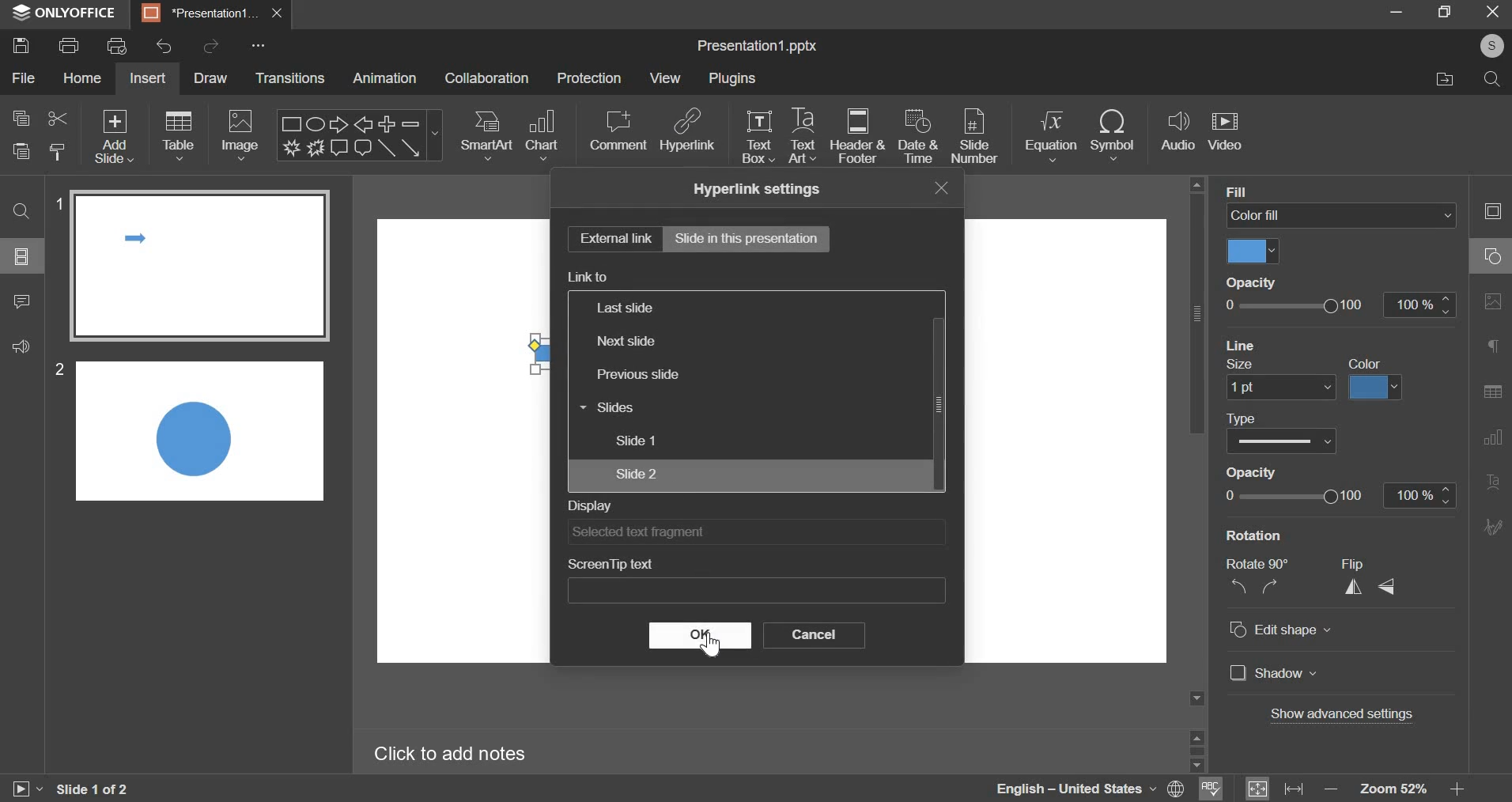 The image size is (1512, 802). I want to click on print preview, so click(117, 44).